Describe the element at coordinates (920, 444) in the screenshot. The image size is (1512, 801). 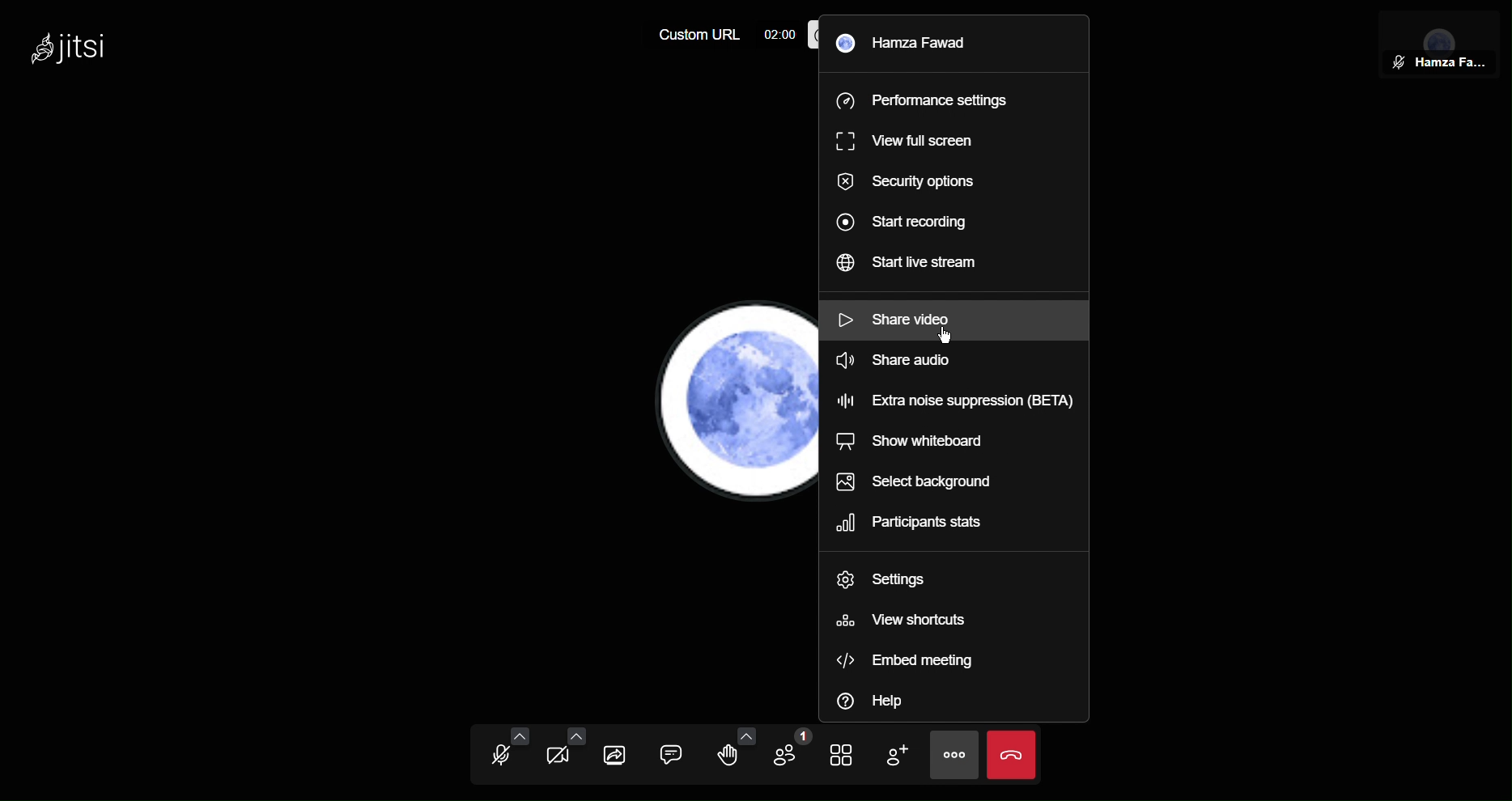
I see `Show whiteboard` at that location.